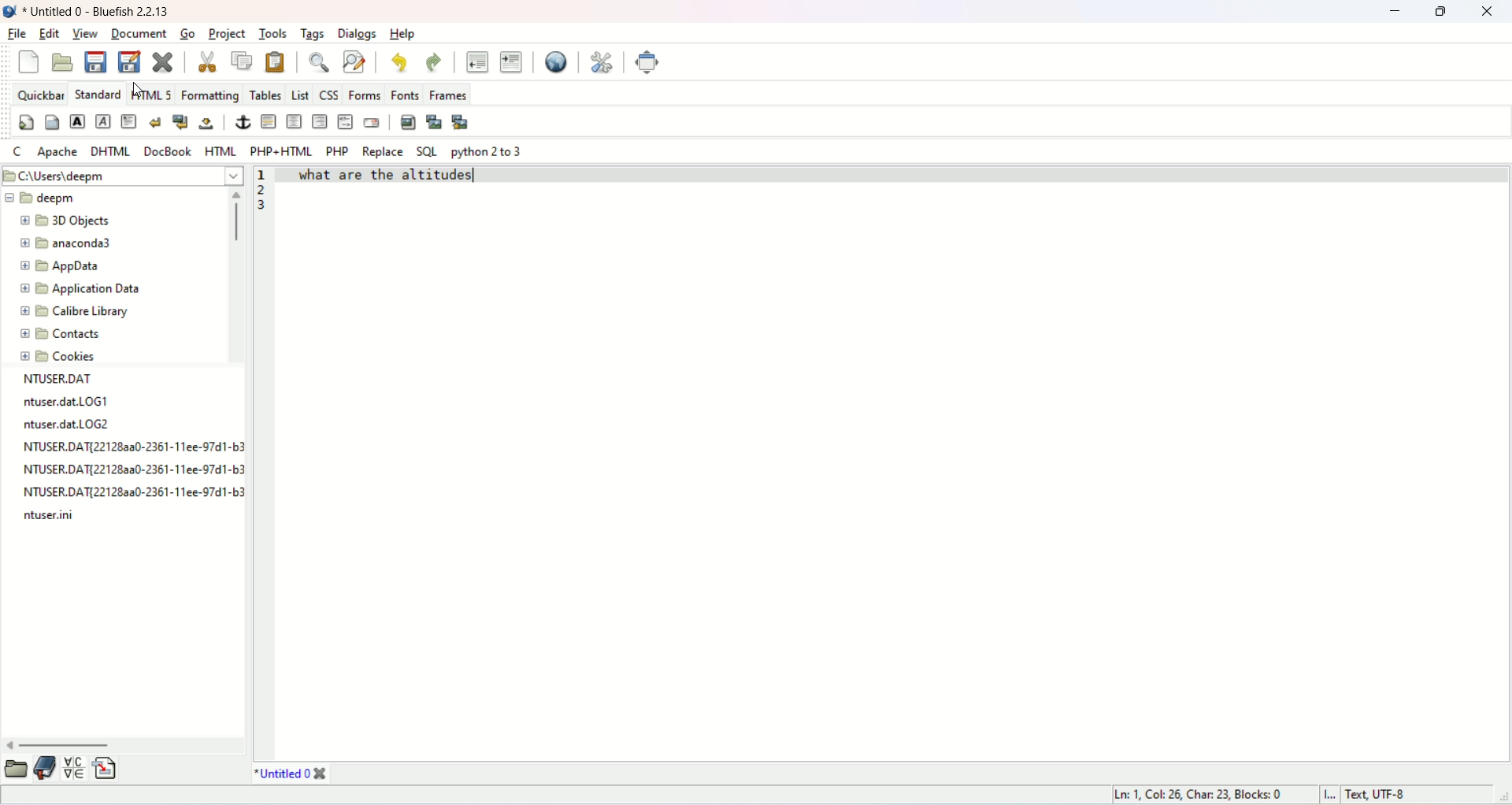  I want to click on undo, so click(400, 61).